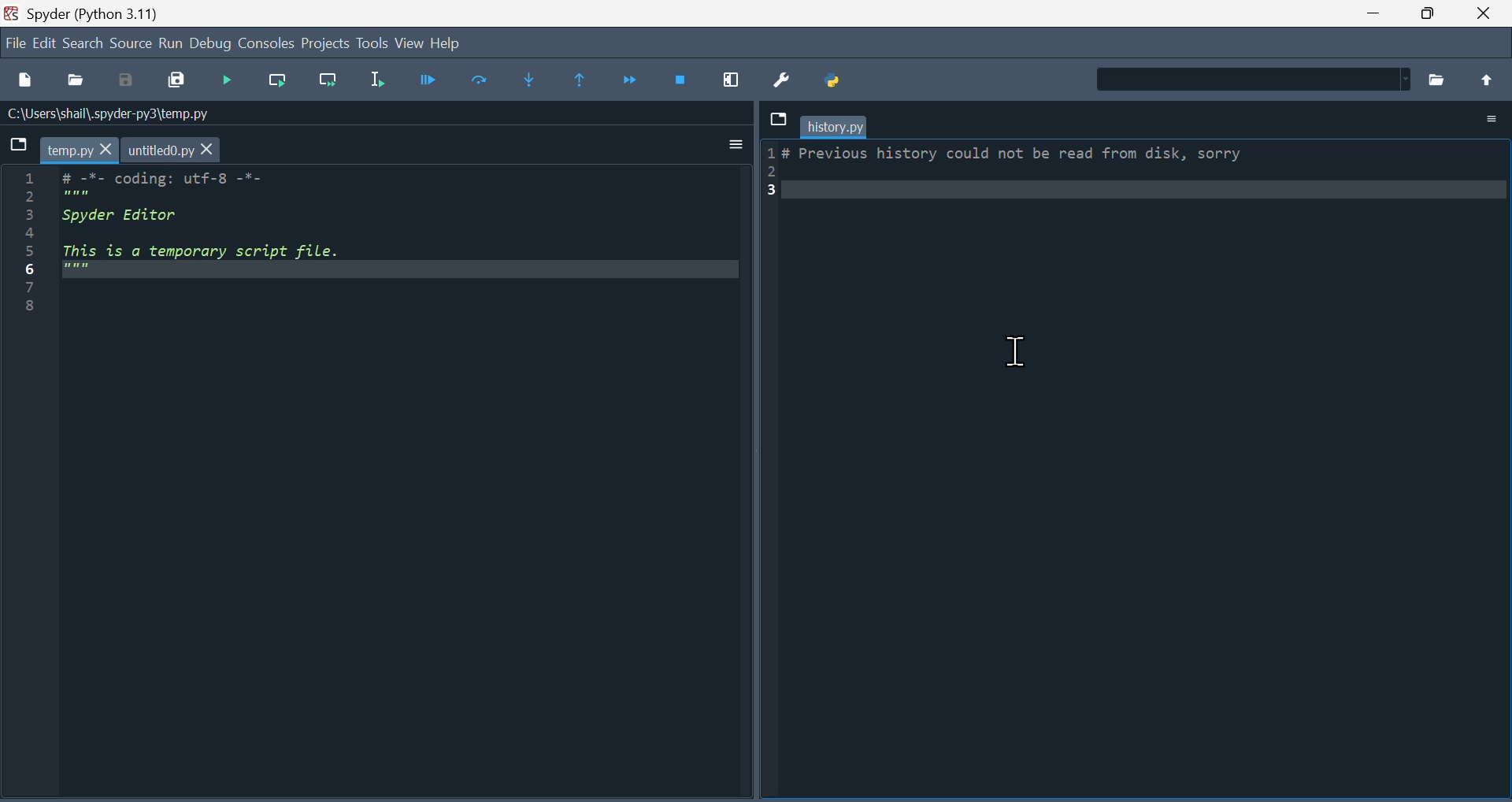 This screenshot has width=1512, height=802. Describe the element at coordinates (1487, 80) in the screenshot. I see `move up` at that location.